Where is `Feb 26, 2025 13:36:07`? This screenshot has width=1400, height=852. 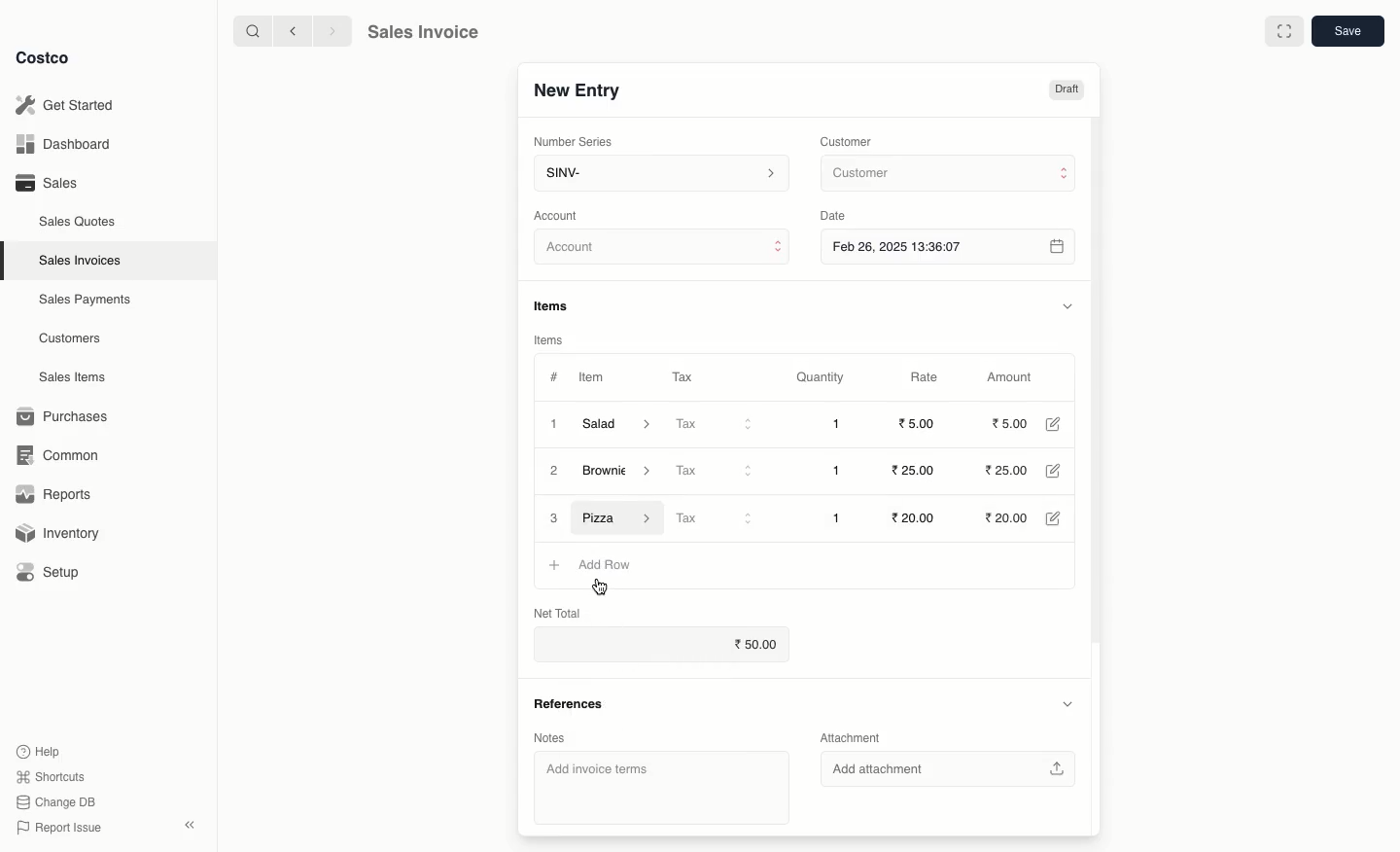 Feb 26, 2025 13:36:07 is located at coordinates (950, 246).